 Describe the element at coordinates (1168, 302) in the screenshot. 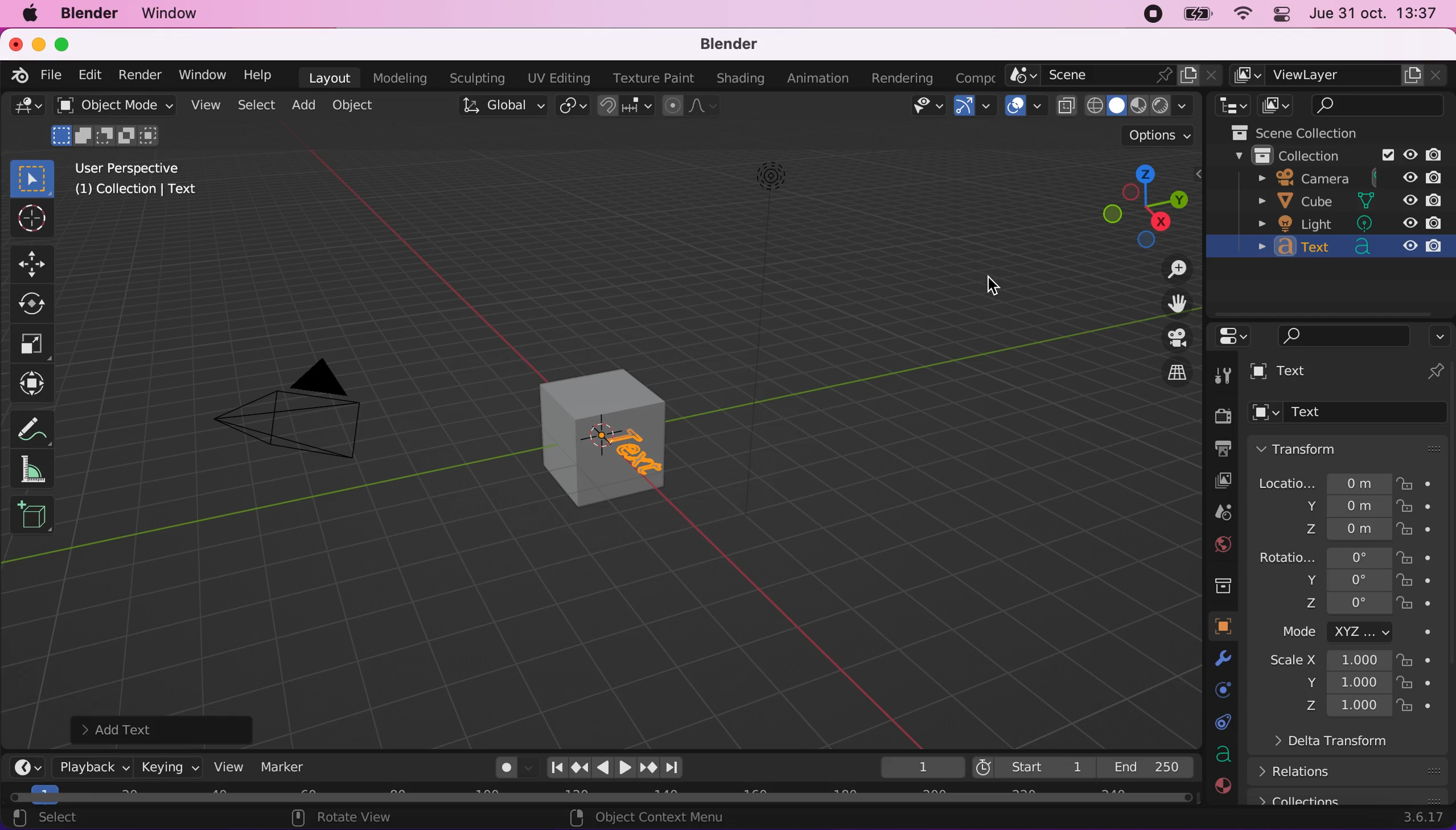

I see `move the view` at that location.